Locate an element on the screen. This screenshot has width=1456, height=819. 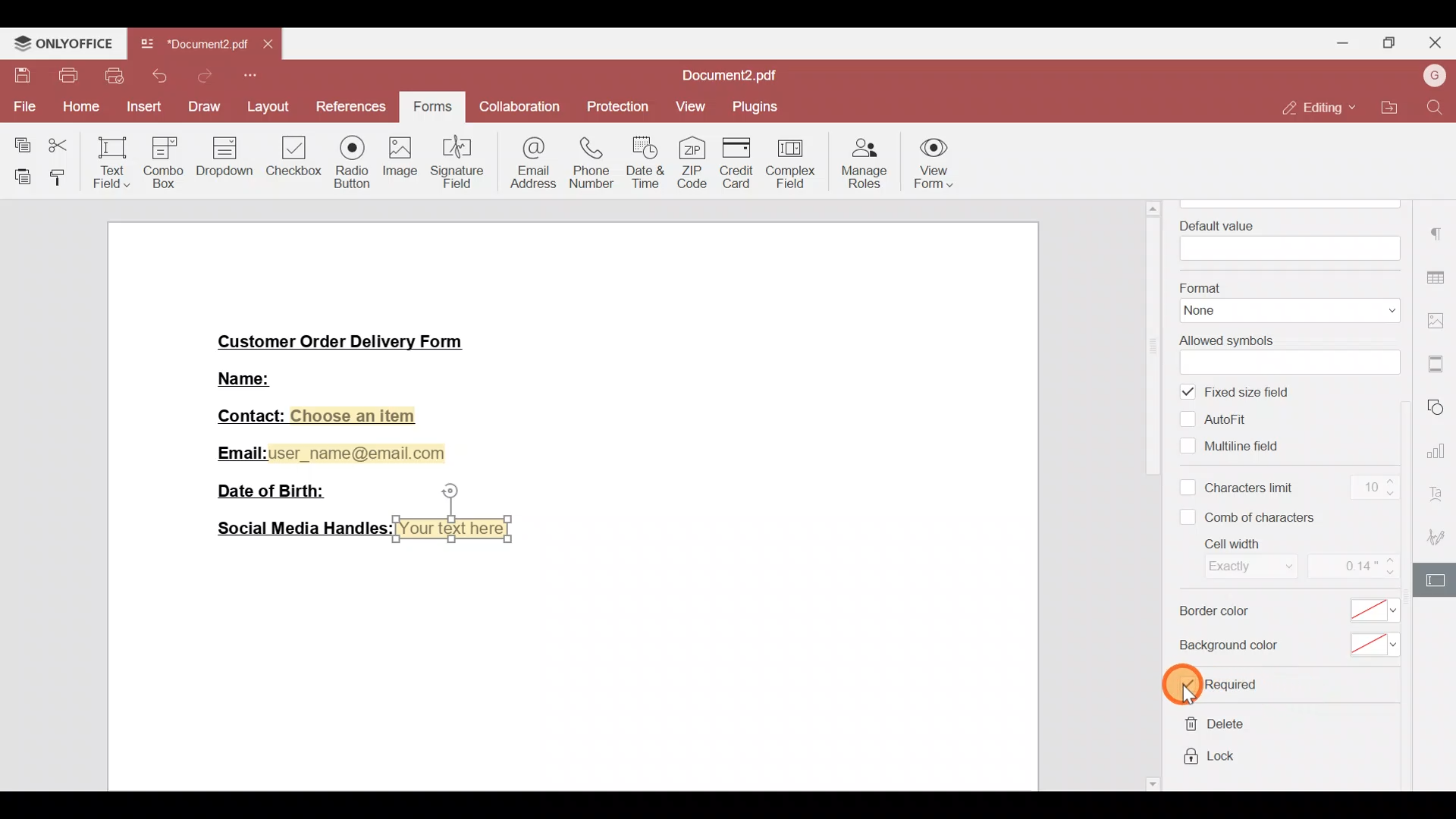
Draw is located at coordinates (204, 105).